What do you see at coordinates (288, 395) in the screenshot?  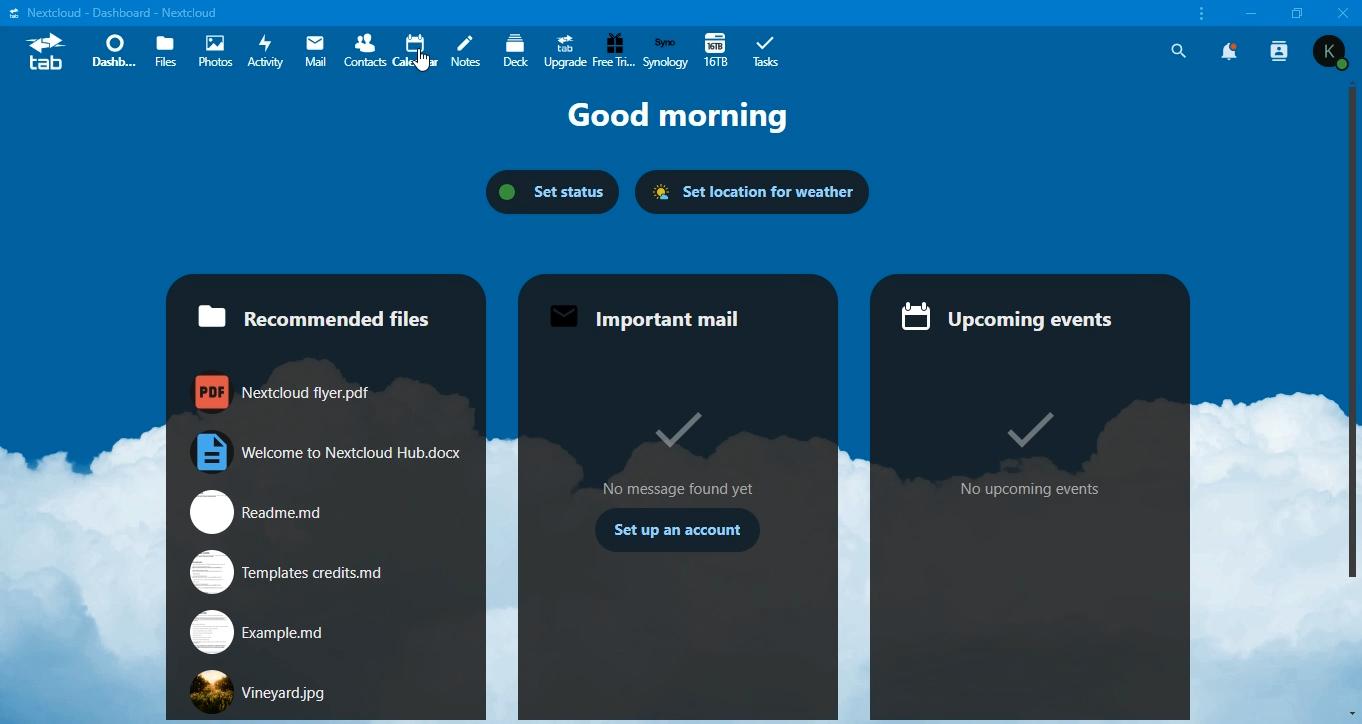 I see `nextcloud flyer.pdf` at bounding box center [288, 395].